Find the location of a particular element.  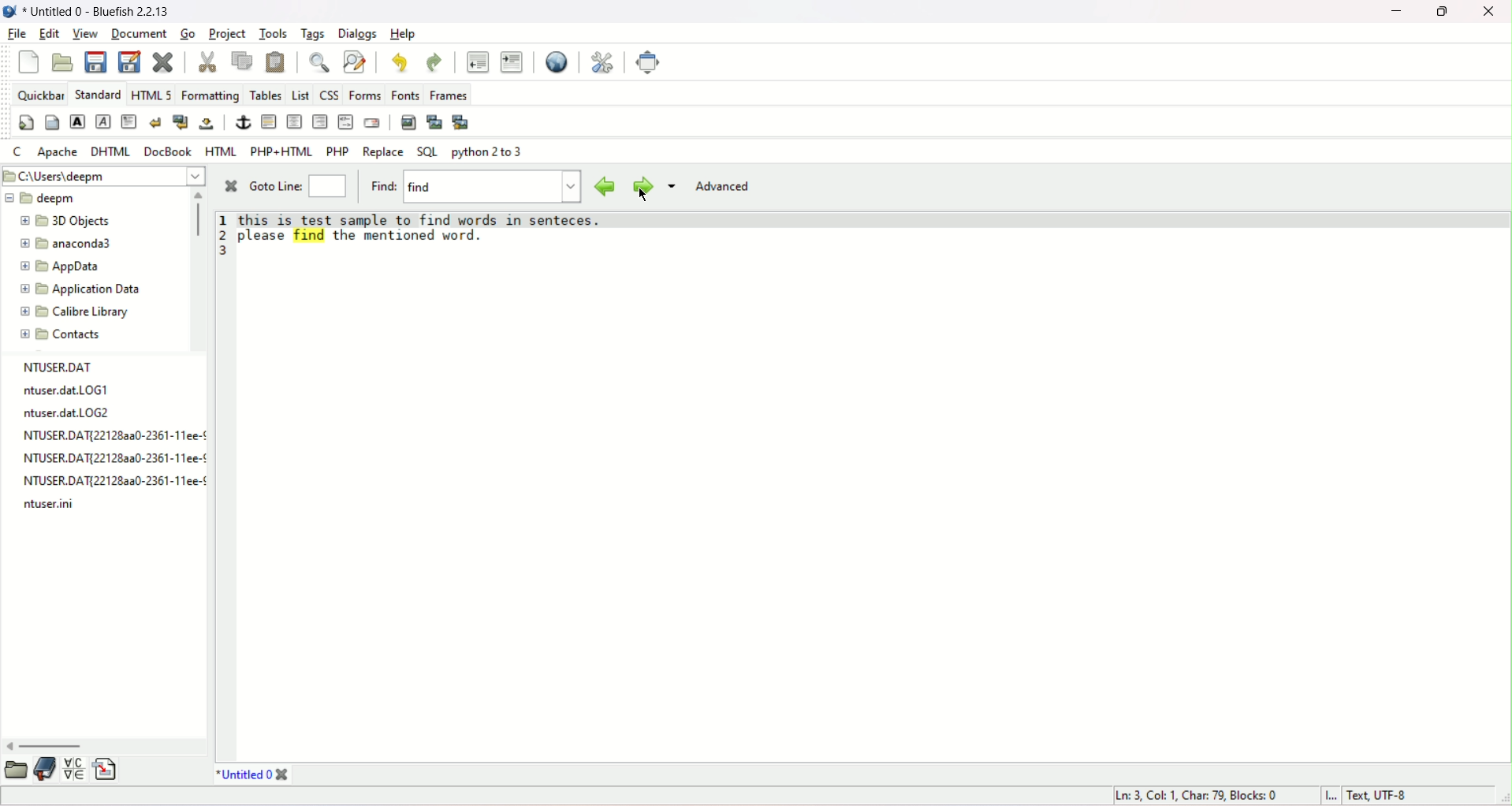

tools is located at coordinates (274, 34).